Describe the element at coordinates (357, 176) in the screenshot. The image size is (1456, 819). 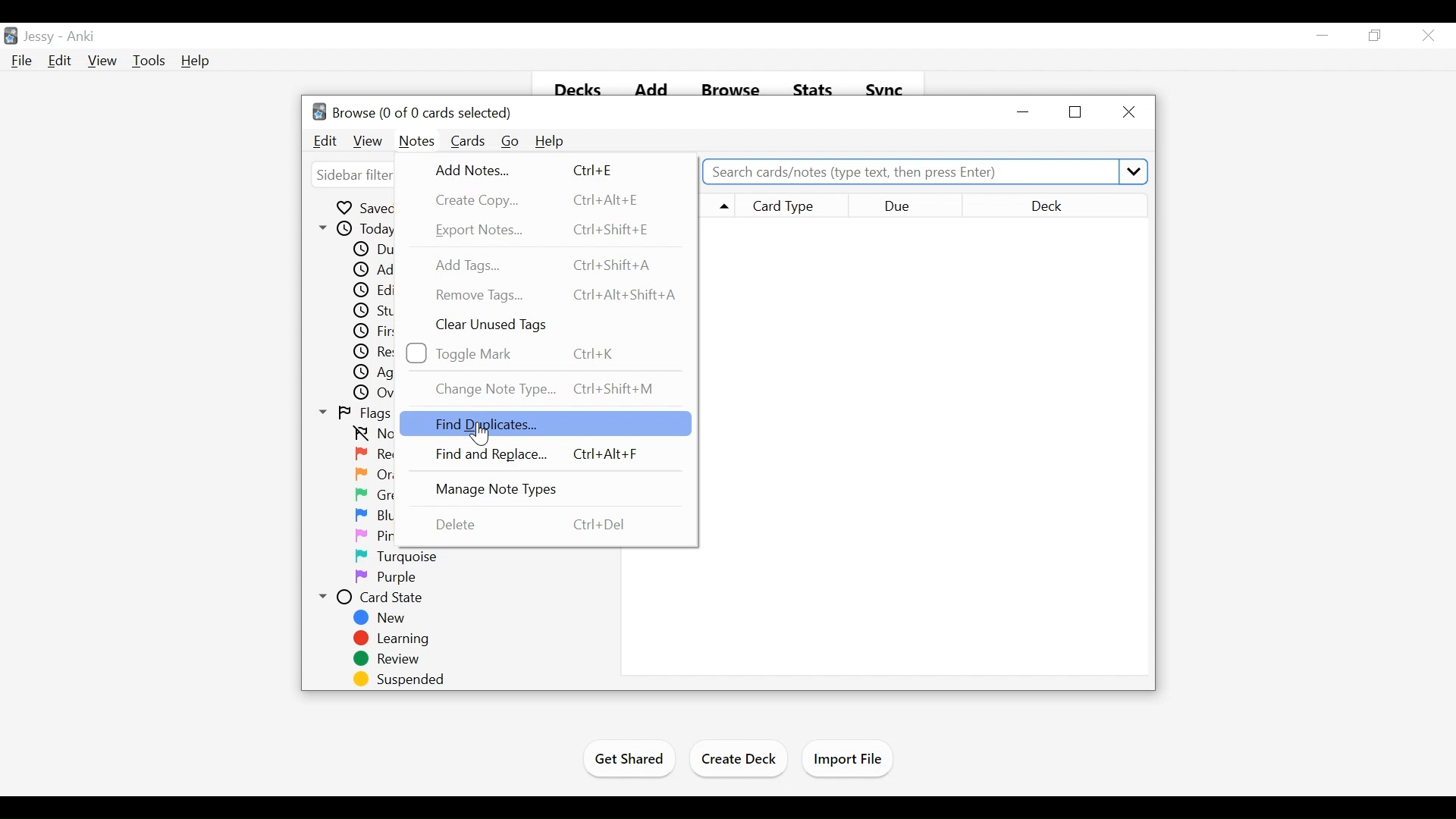
I see `sidebar filter` at that location.